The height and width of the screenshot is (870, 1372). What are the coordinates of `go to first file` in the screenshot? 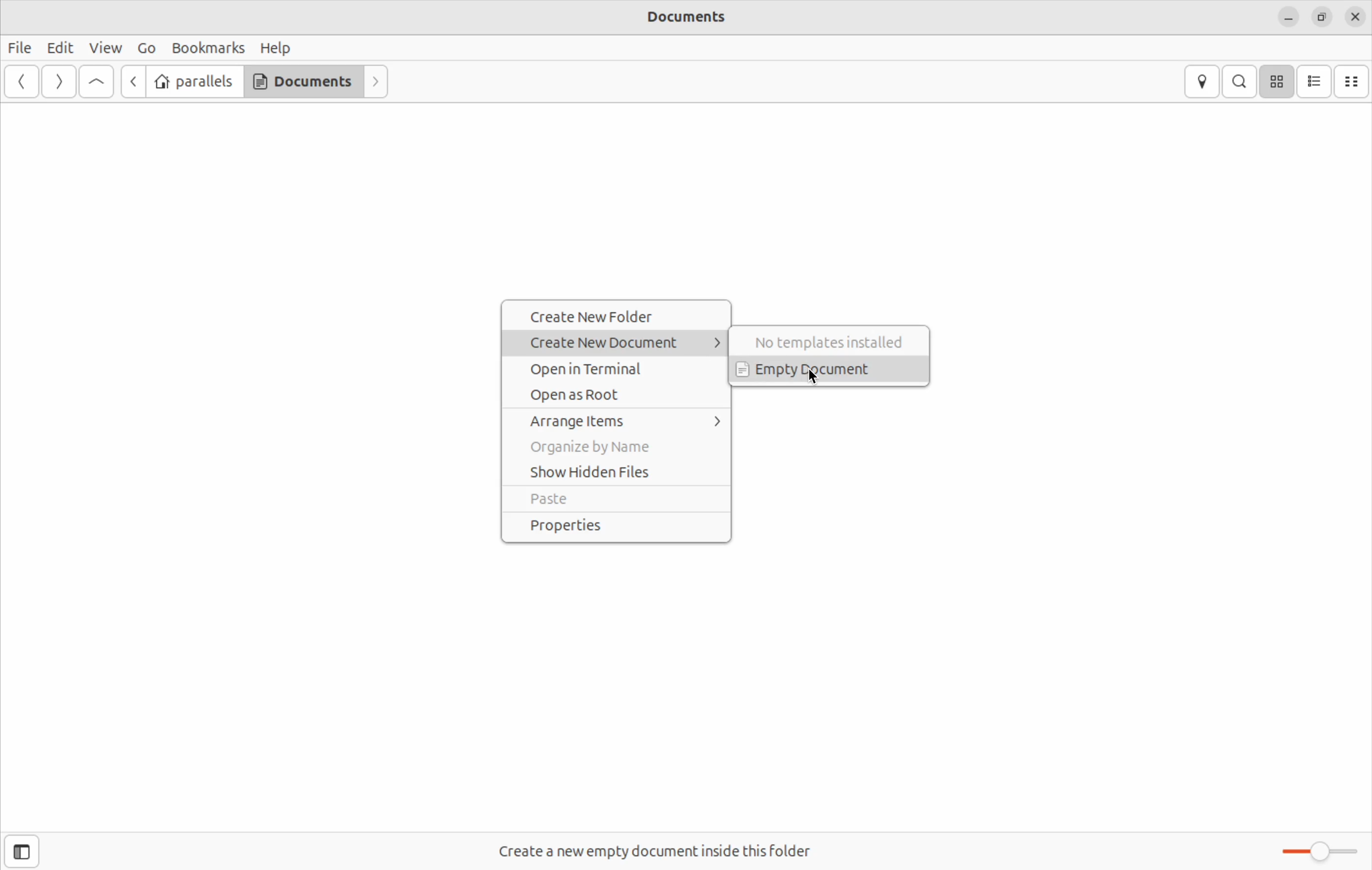 It's located at (96, 82).